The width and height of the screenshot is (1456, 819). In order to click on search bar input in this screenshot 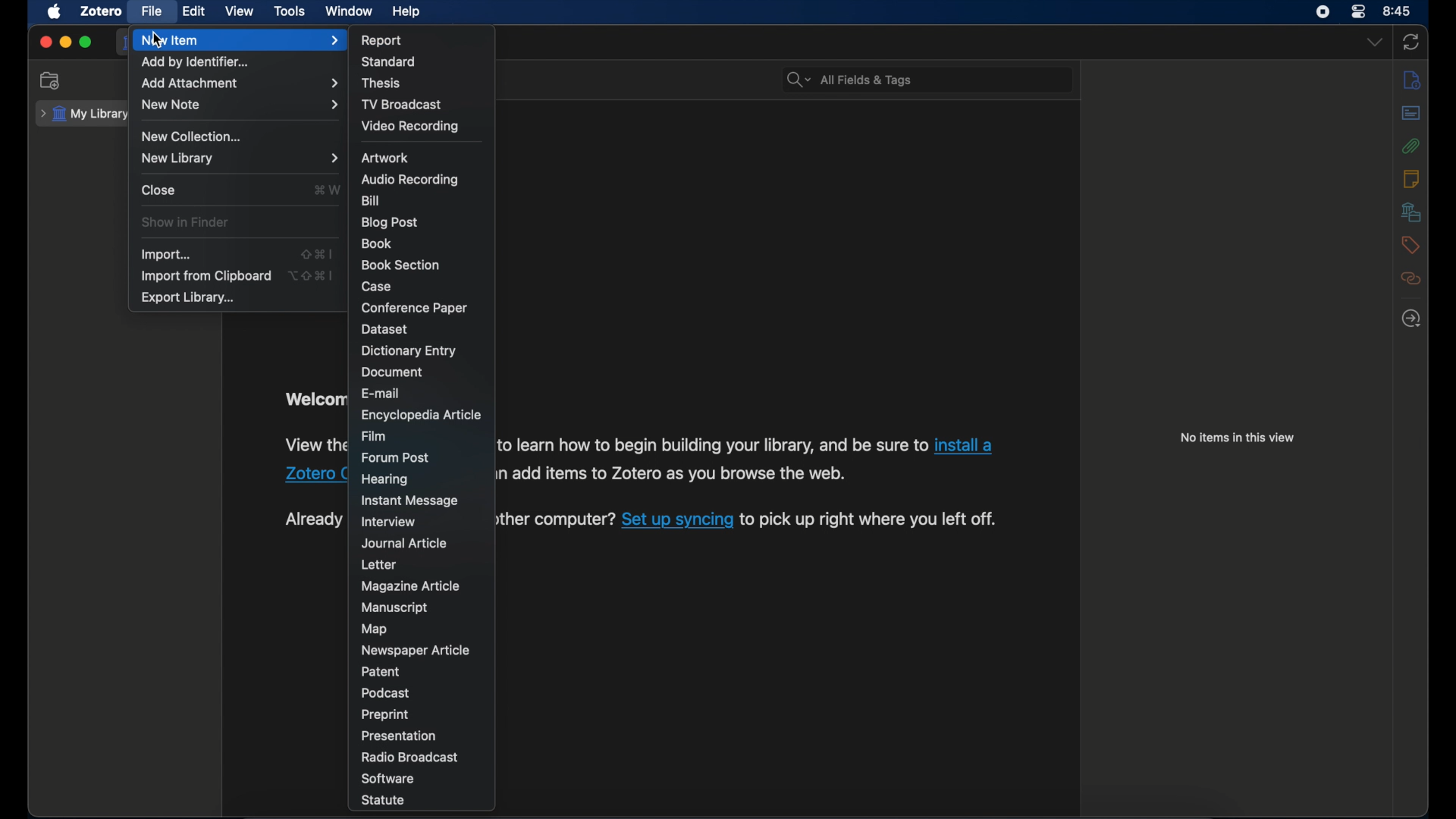, I will do `click(945, 81)`.